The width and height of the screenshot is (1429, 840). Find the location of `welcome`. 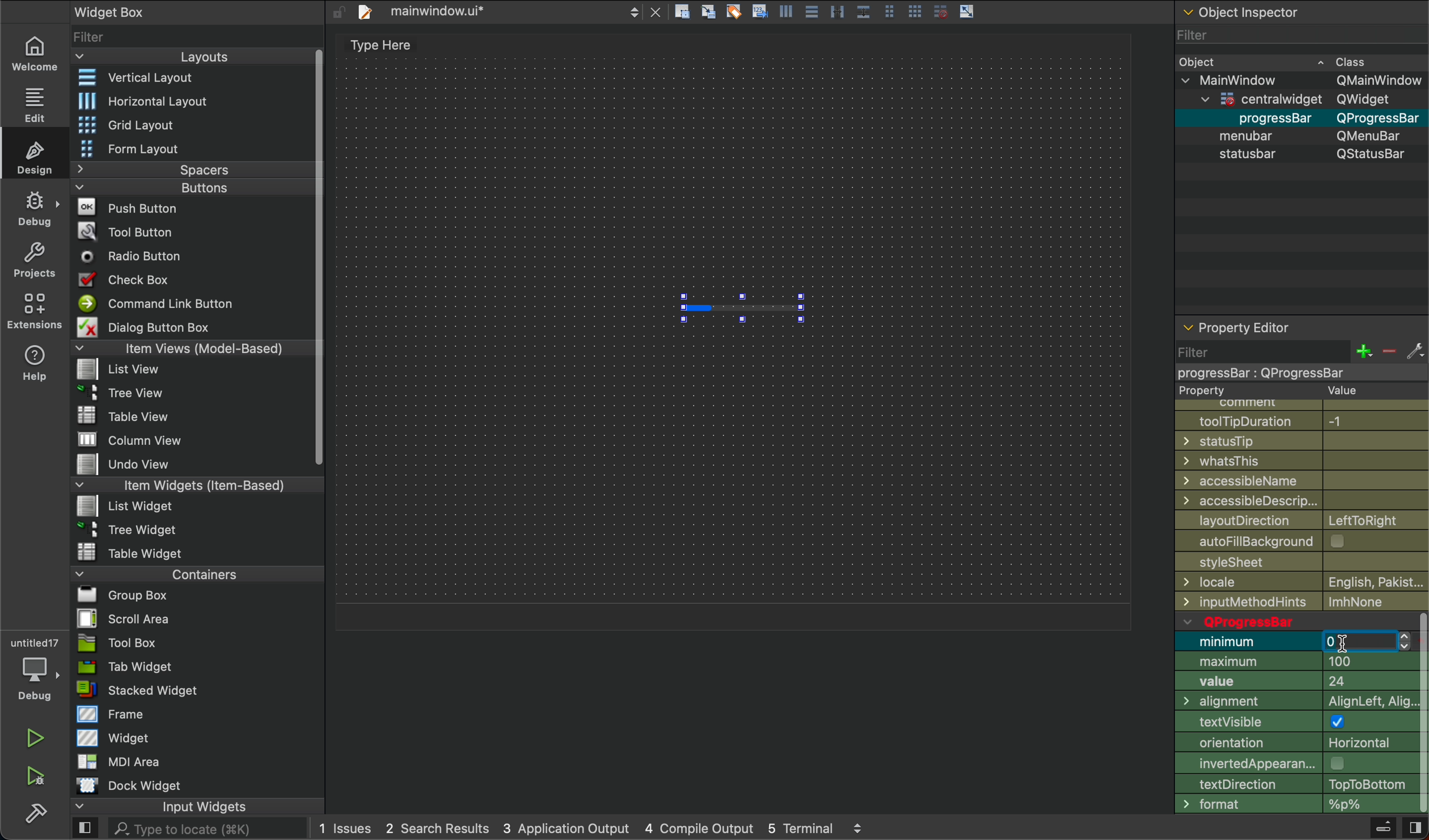

welcome is located at coordinates (33, 52).